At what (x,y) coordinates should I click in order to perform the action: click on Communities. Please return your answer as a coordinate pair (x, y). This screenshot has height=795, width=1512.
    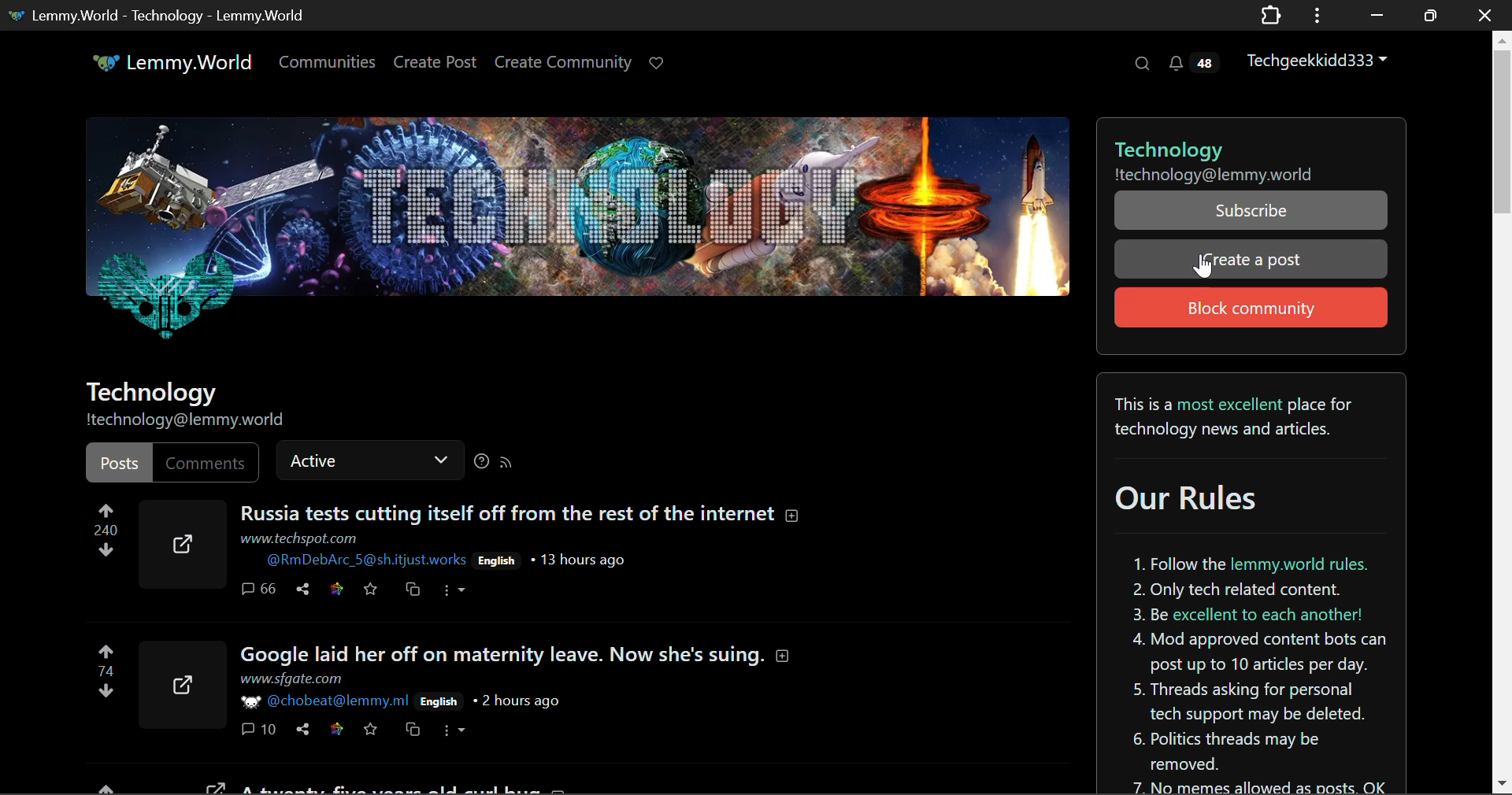
    Looking at the image, I should click on (328, 65).